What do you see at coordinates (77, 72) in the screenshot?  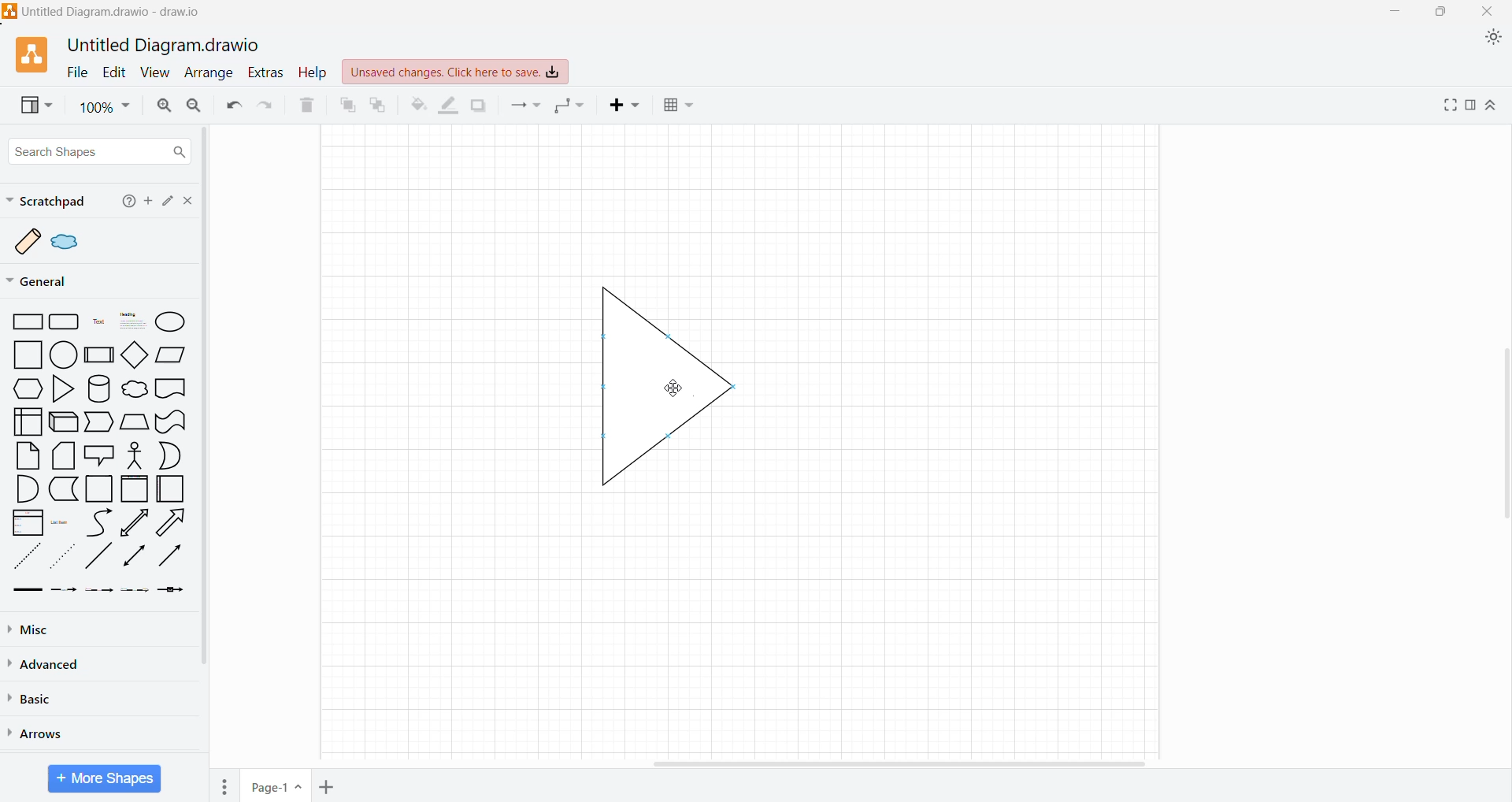 I see `File` at bounding box center [77, 72].